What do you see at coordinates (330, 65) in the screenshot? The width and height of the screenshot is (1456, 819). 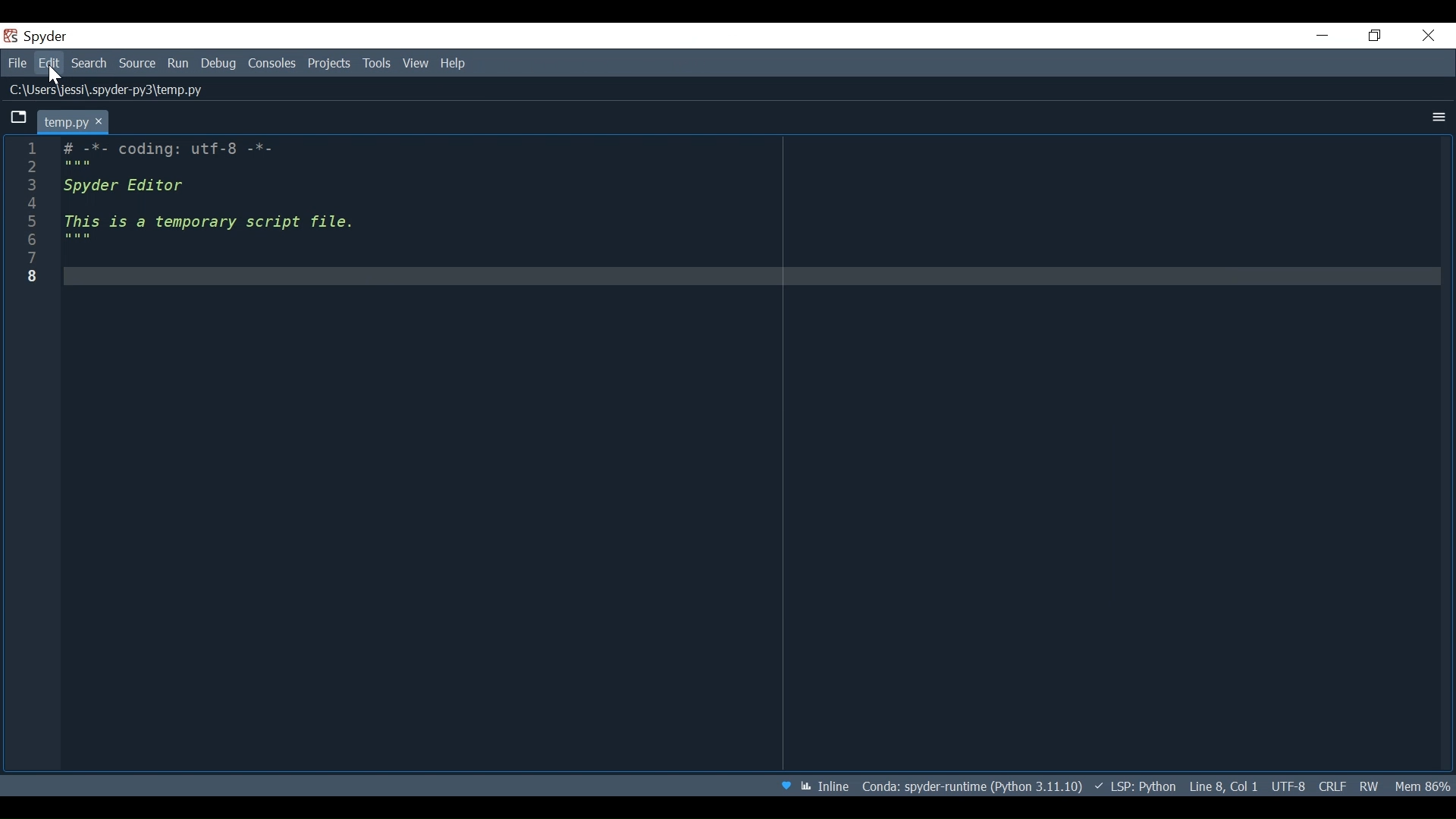 I see `Projects` at bounding box center [330, 65].